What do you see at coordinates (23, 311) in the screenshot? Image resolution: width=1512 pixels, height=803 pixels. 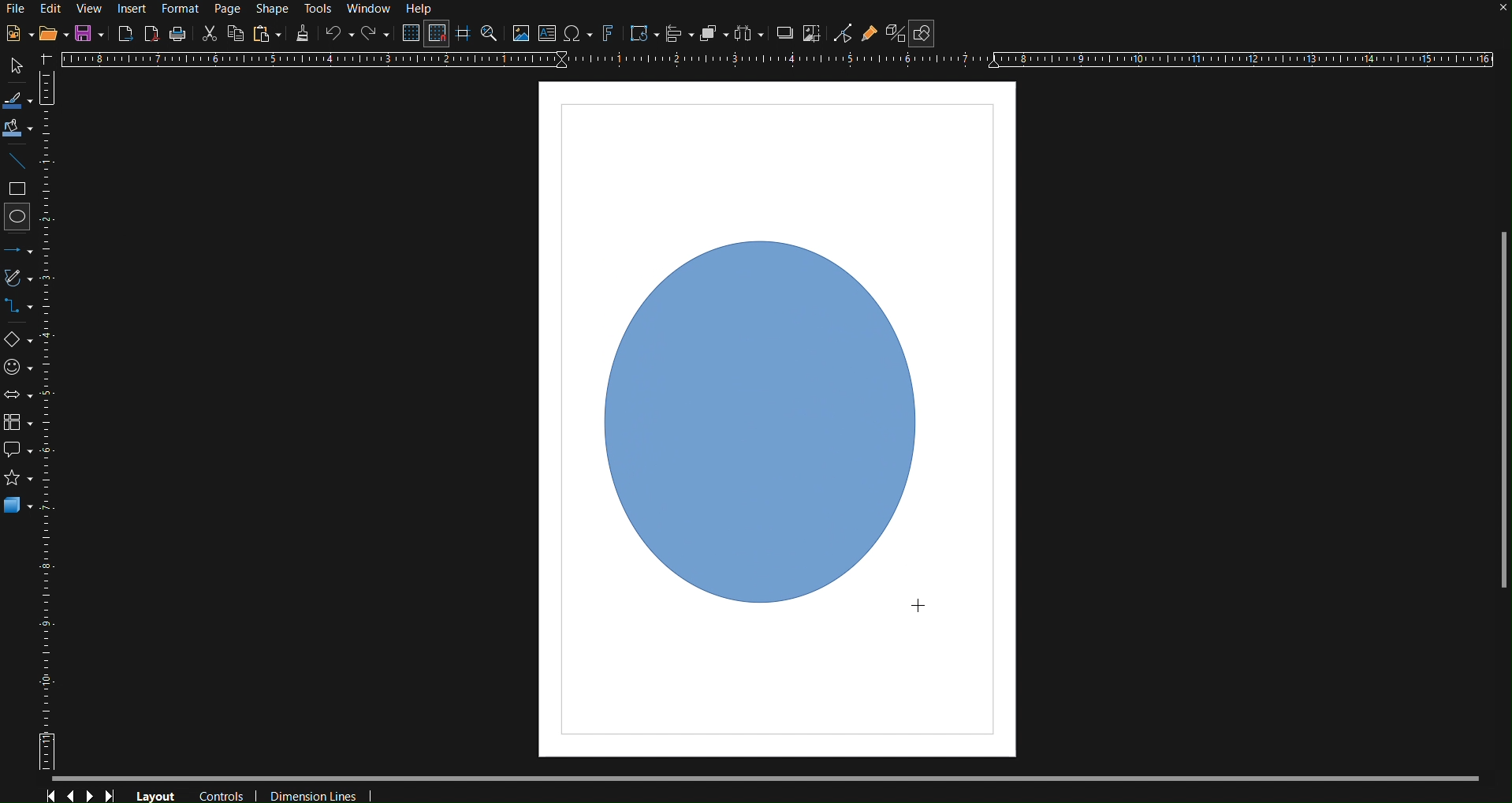 I see `Connectors` at bounding box center [23, 311].